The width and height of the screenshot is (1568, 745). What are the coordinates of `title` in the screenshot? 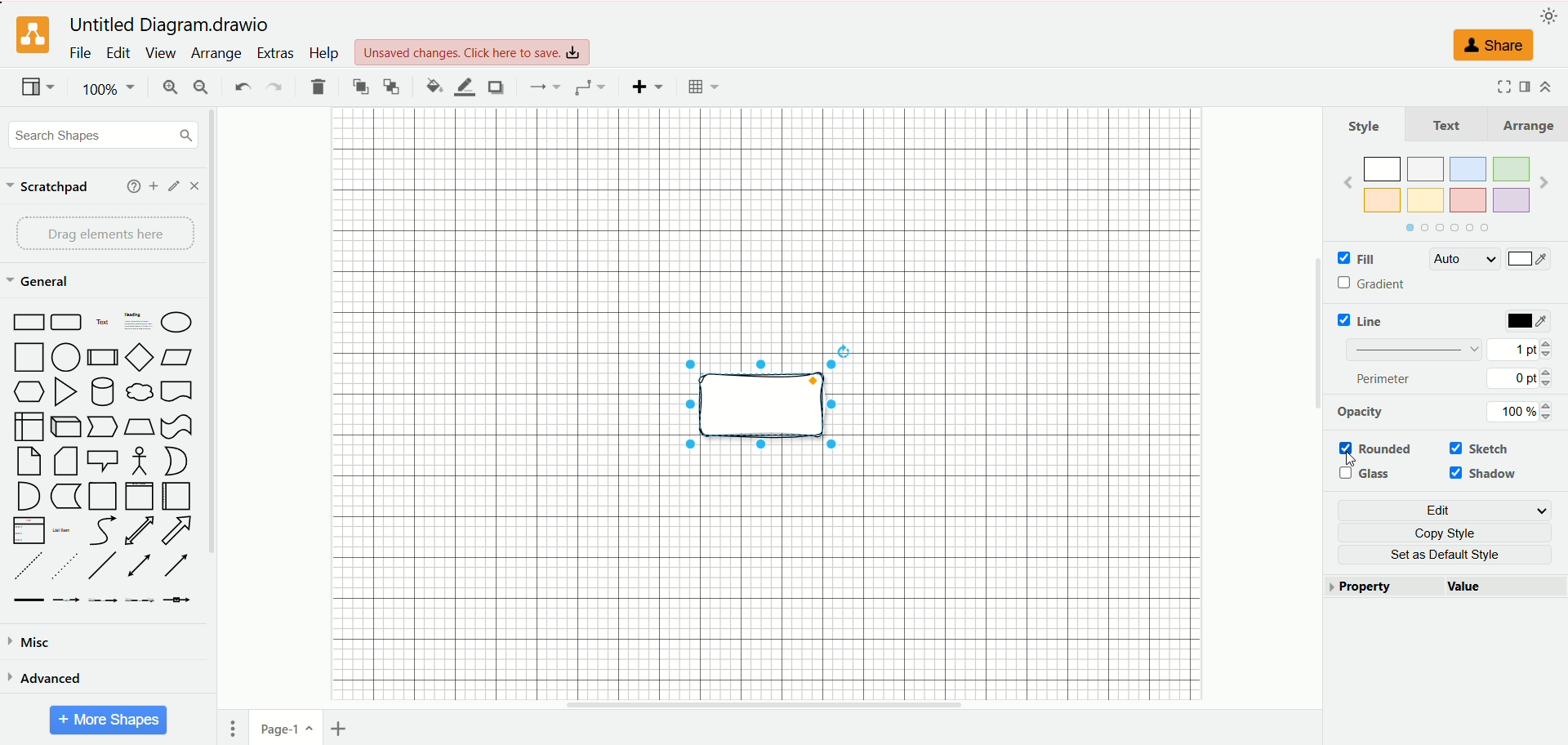 It's located at (173, 25).